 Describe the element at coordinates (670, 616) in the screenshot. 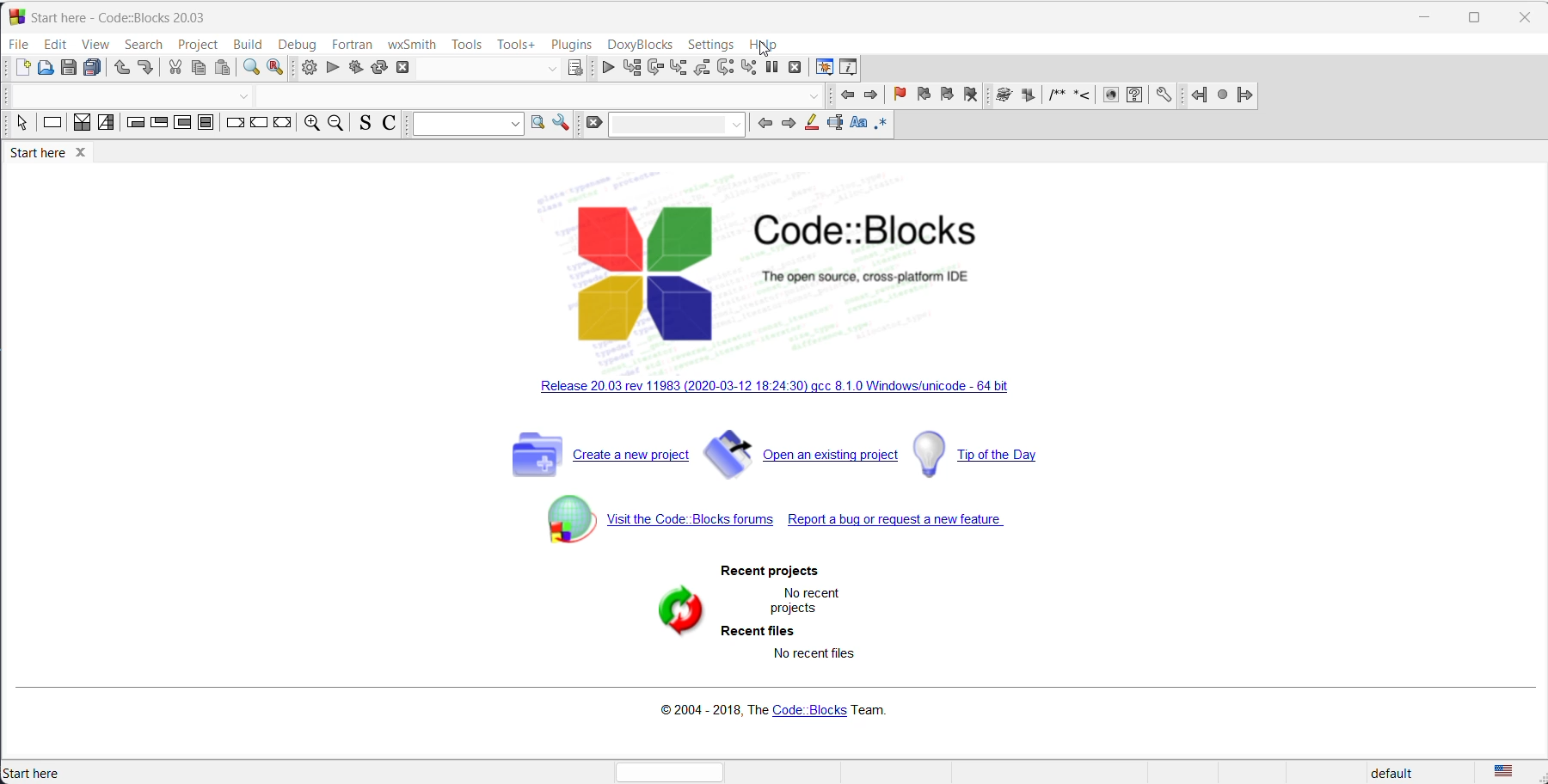

I see `refresh ` at that location.